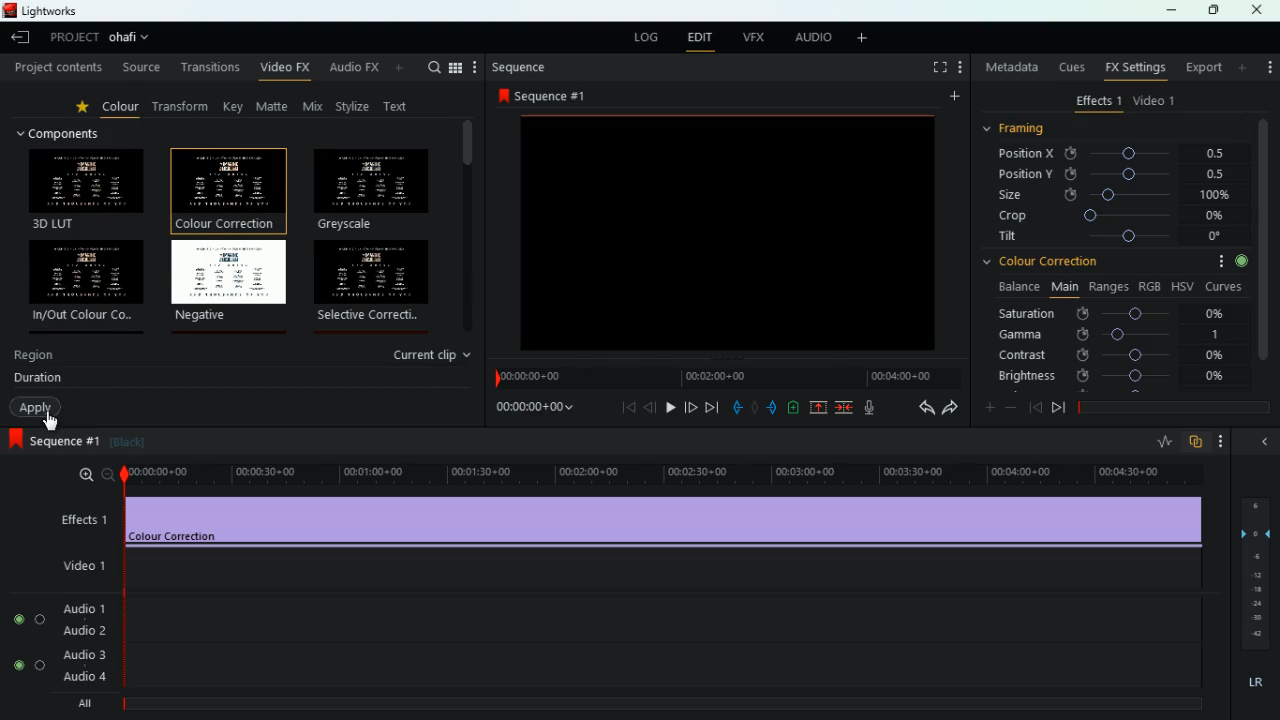 The image size is (1280, 720). Describe the element at coordinates (814, 409) in the screenshot. I see `up` at that location.